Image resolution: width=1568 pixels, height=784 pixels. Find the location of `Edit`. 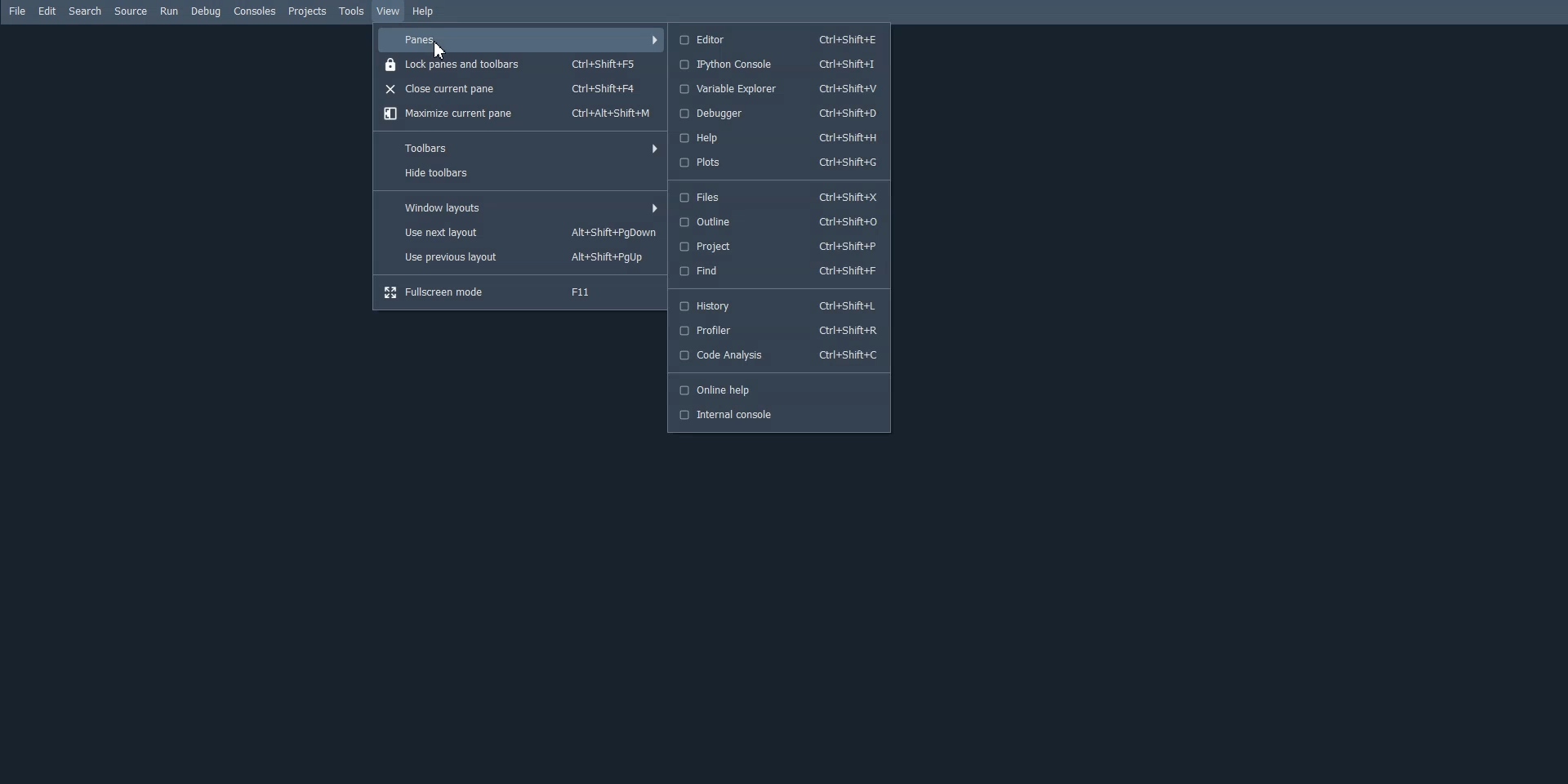

Edit is located at coordinates (47, 11).